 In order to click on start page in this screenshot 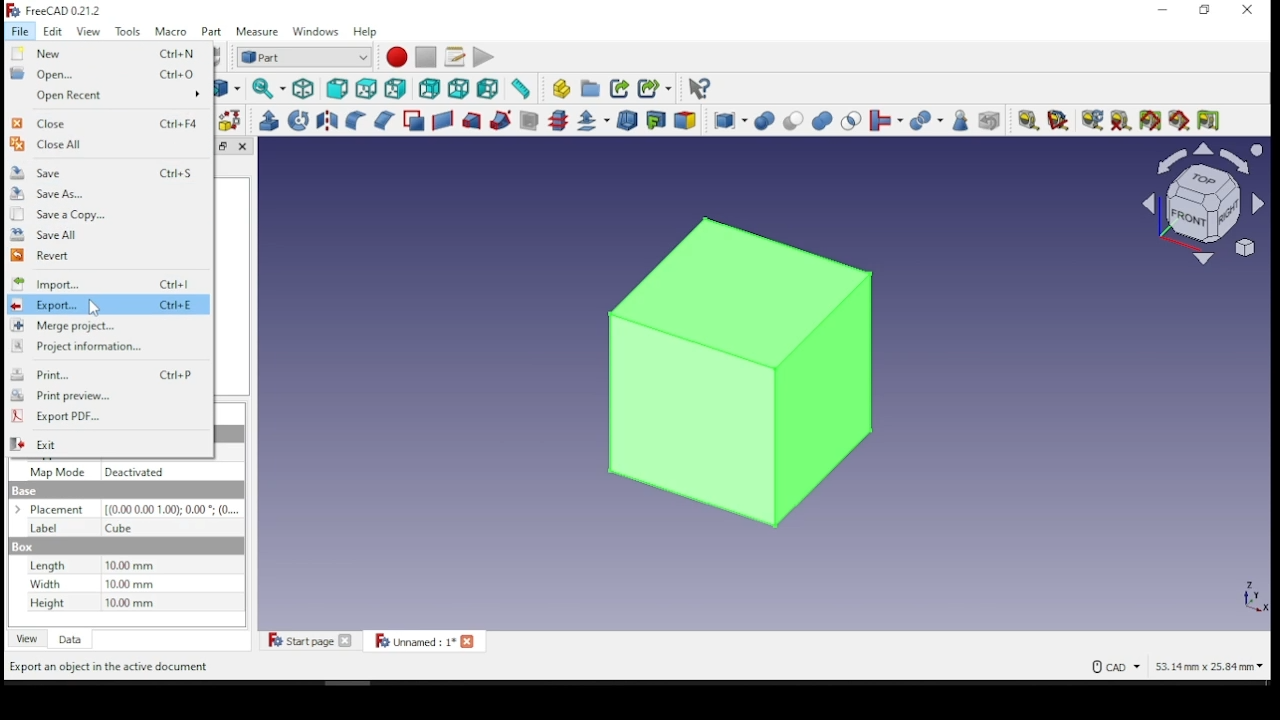, I will do `click(310, 640)`.